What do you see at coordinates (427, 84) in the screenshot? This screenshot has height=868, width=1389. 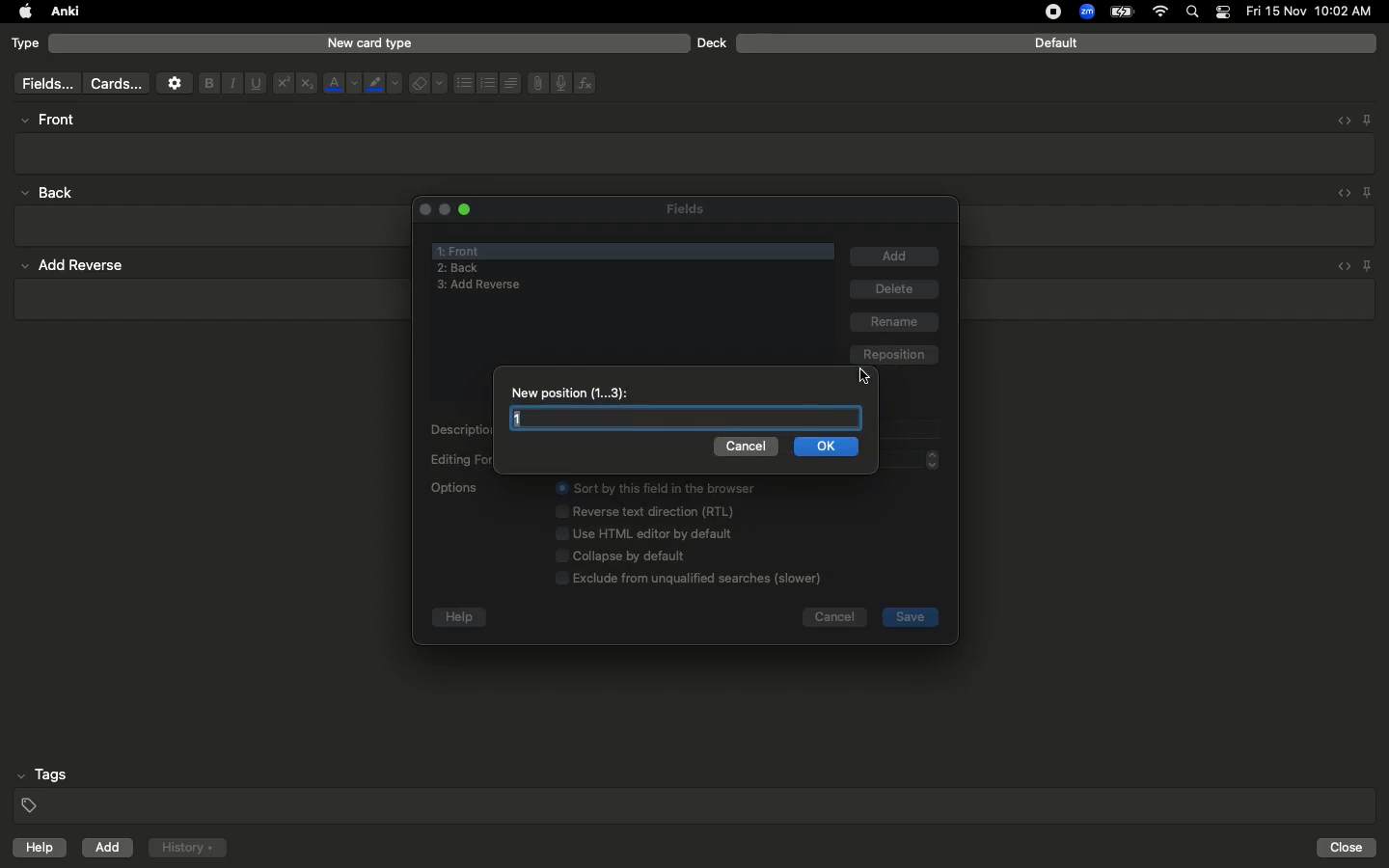 I see `Eraser` at bounding box center [427, 84].